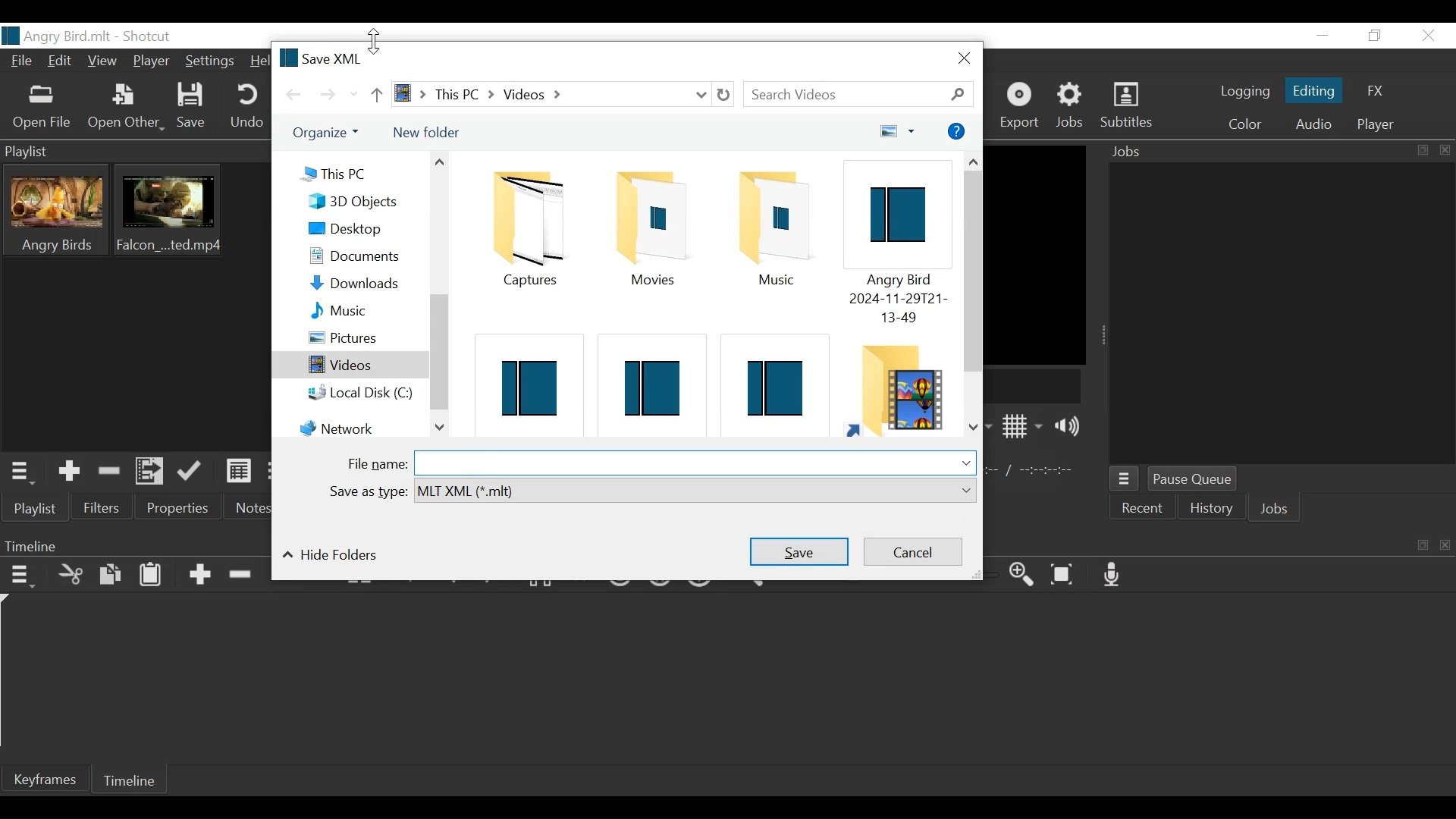 Image resolution: width=1456 pixels, height=819 pixels. Describe the element at coordinates (1373, 36) in the screenshot. I see `Restore` at that location.